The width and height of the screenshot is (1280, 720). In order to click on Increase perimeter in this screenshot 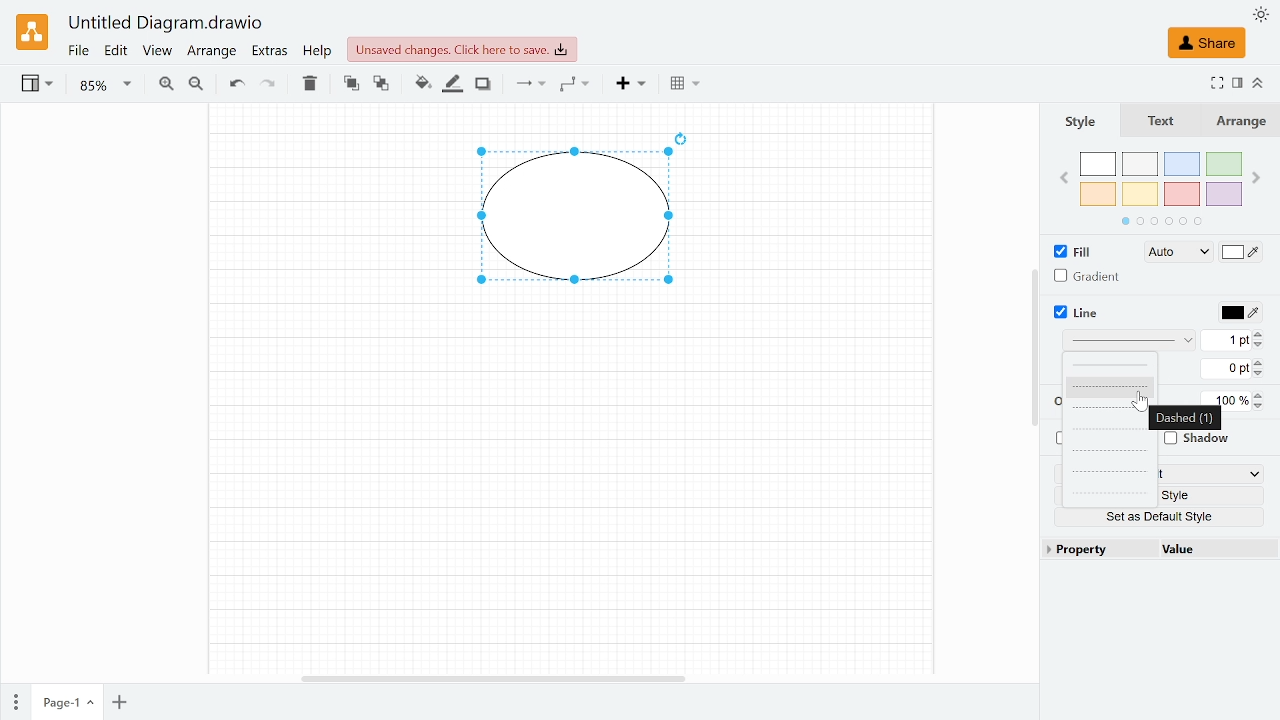, I will do `click(1261, 362)`.